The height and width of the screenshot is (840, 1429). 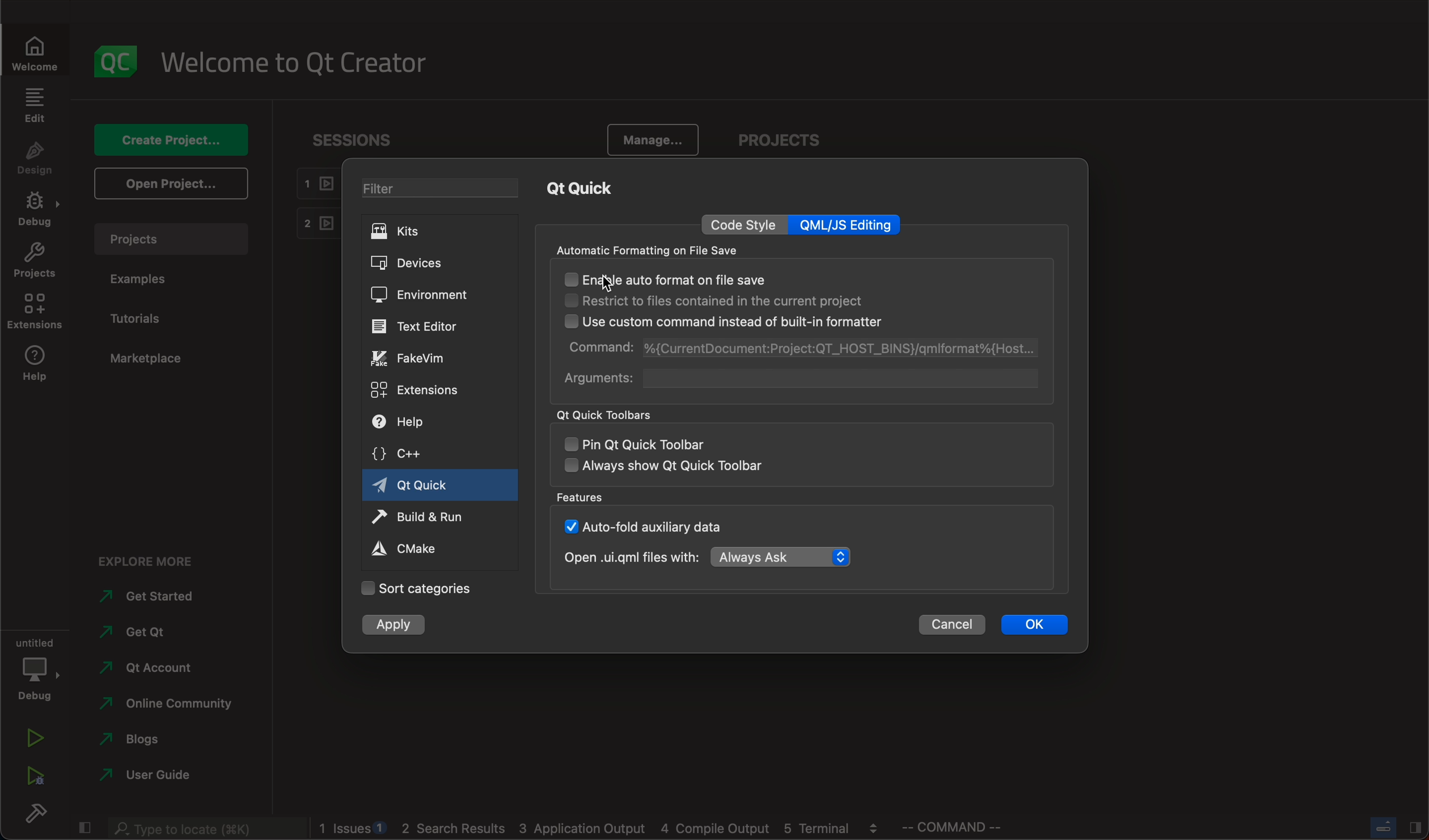 I want to click on automatic formatting, so click(x=645, y=248).